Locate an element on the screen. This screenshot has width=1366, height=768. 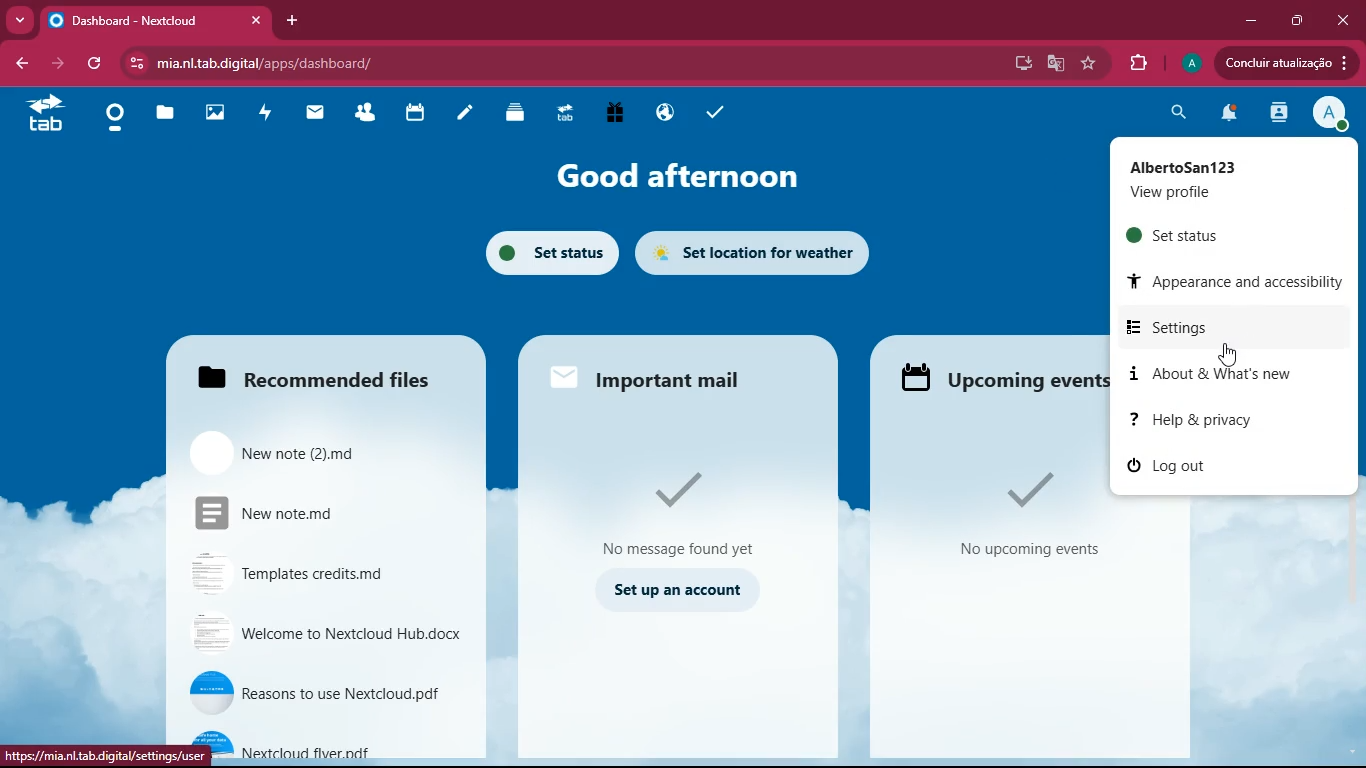
tab is located at coordinates (561, 113).